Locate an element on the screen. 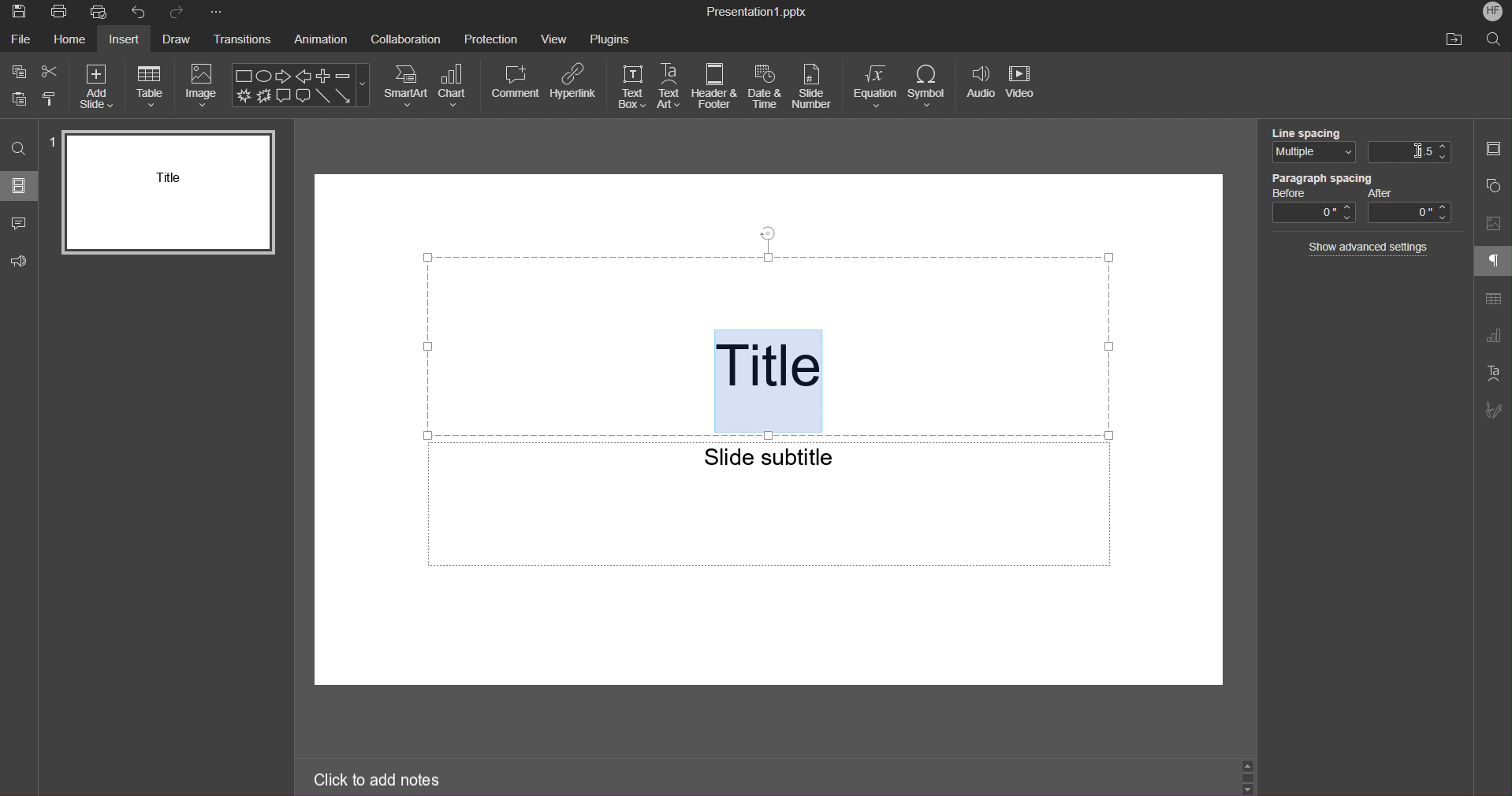  Multiple is located at coordinates (1309, 154).